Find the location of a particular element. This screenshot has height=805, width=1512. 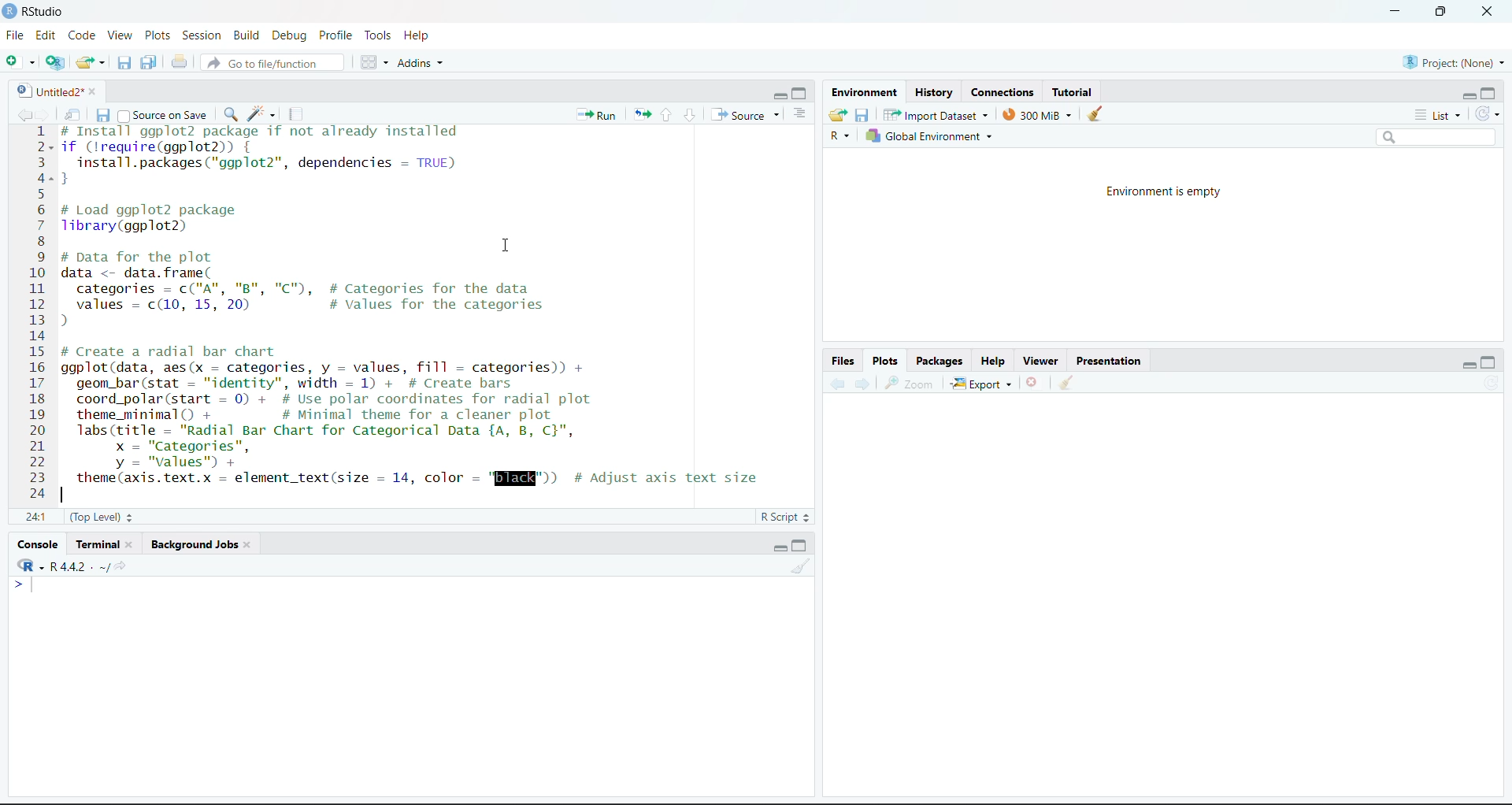

File is located at coordinates (13, 37).